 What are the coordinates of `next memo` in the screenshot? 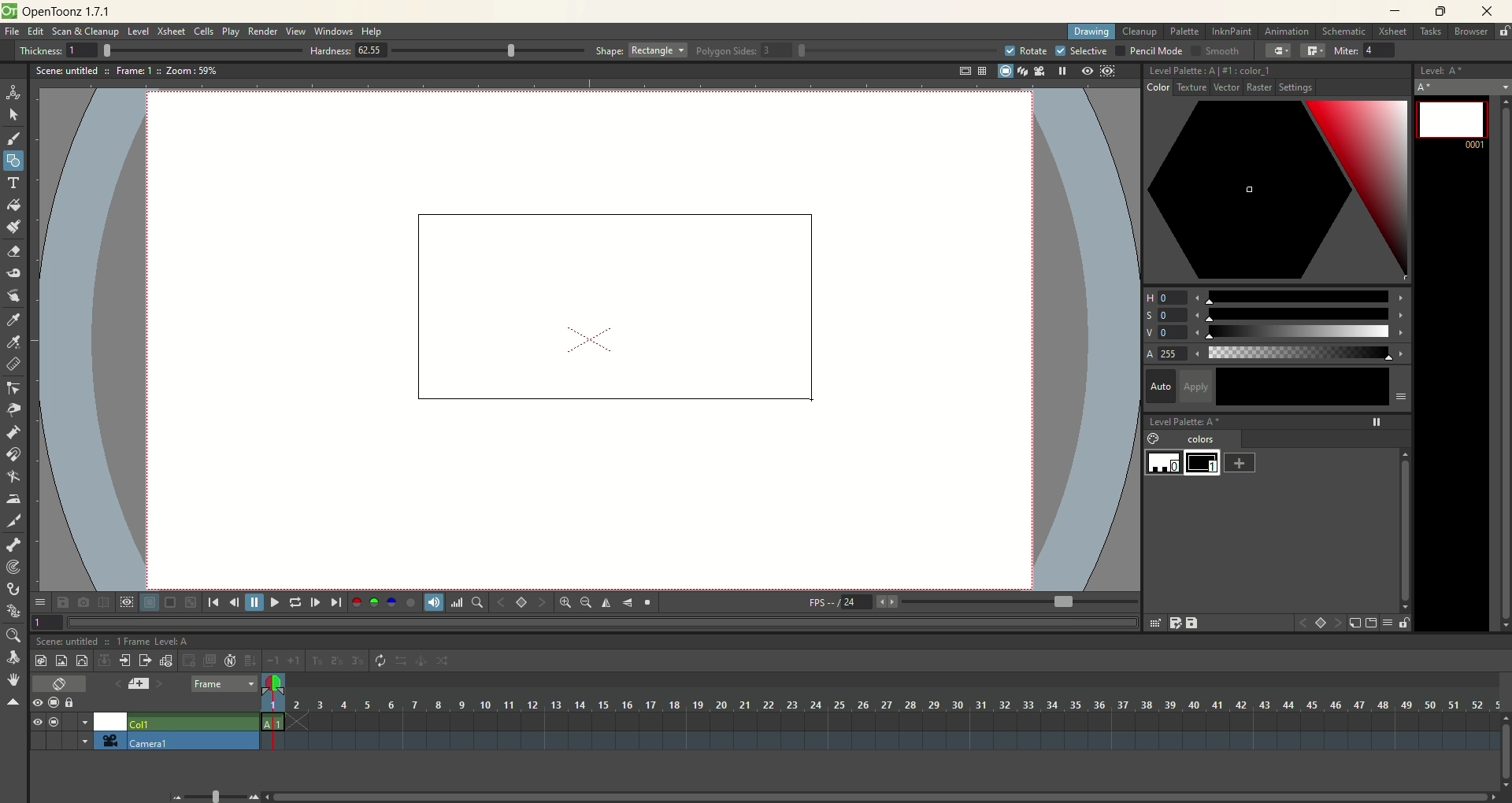 It's located at (160, 686).